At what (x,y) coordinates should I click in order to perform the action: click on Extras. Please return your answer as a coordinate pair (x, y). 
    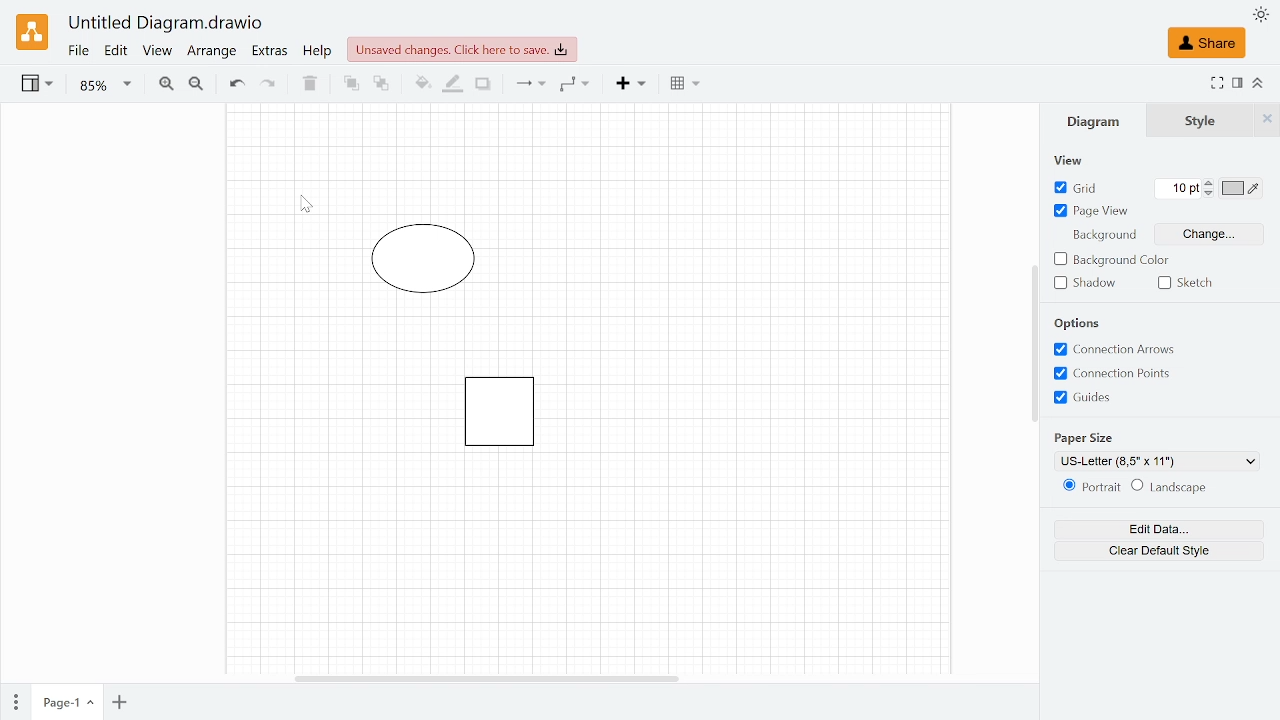
    Looking at the image, I should click on (270, 53).